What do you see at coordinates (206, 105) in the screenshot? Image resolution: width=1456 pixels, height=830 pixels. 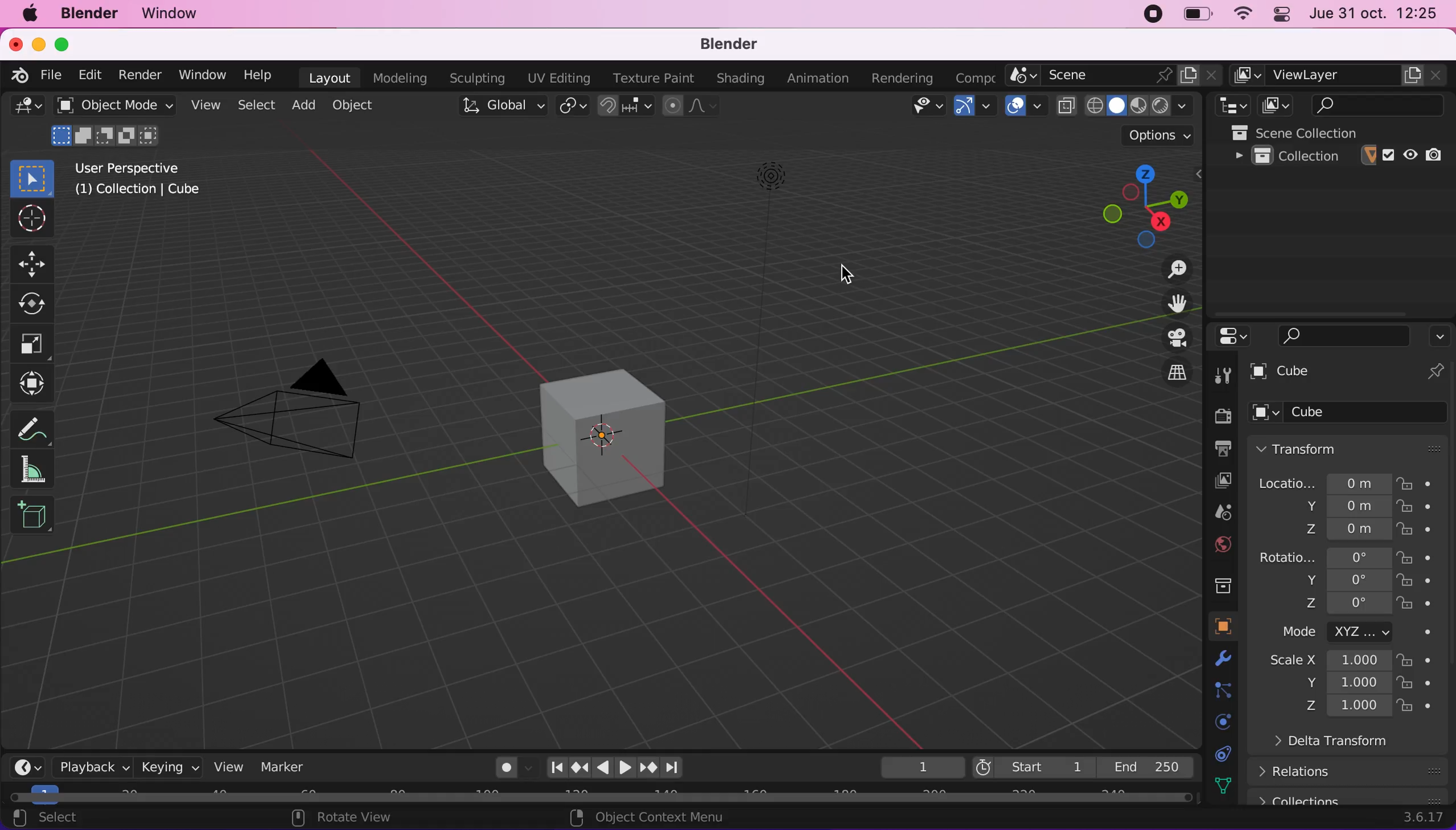 I see `view` at bounding box center [206, 105].